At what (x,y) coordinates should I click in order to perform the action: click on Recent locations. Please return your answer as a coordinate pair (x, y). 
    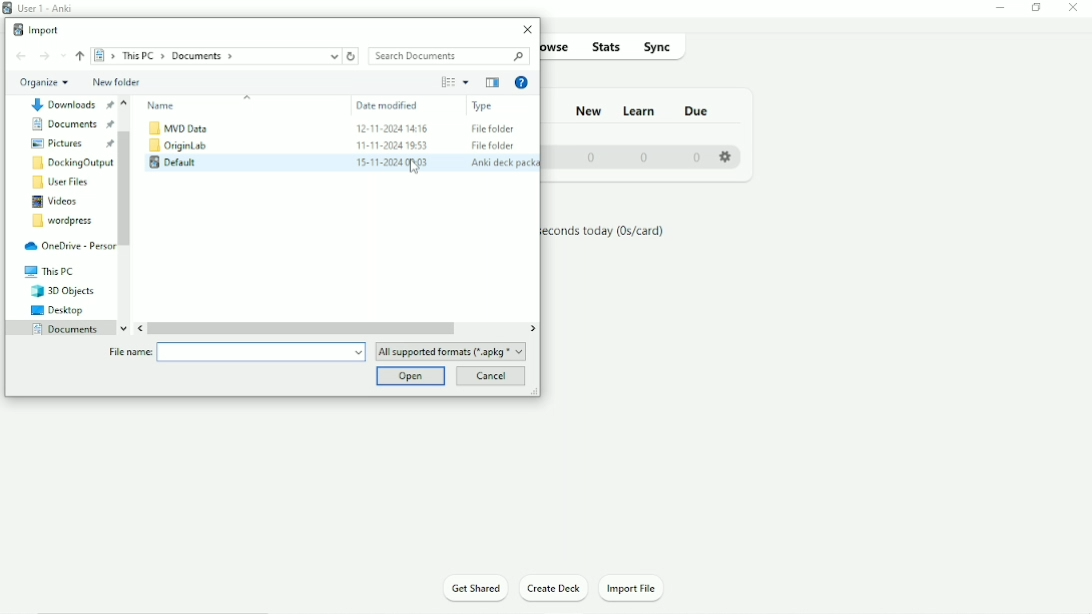
    Looking at the image, I should click on (65, 55).